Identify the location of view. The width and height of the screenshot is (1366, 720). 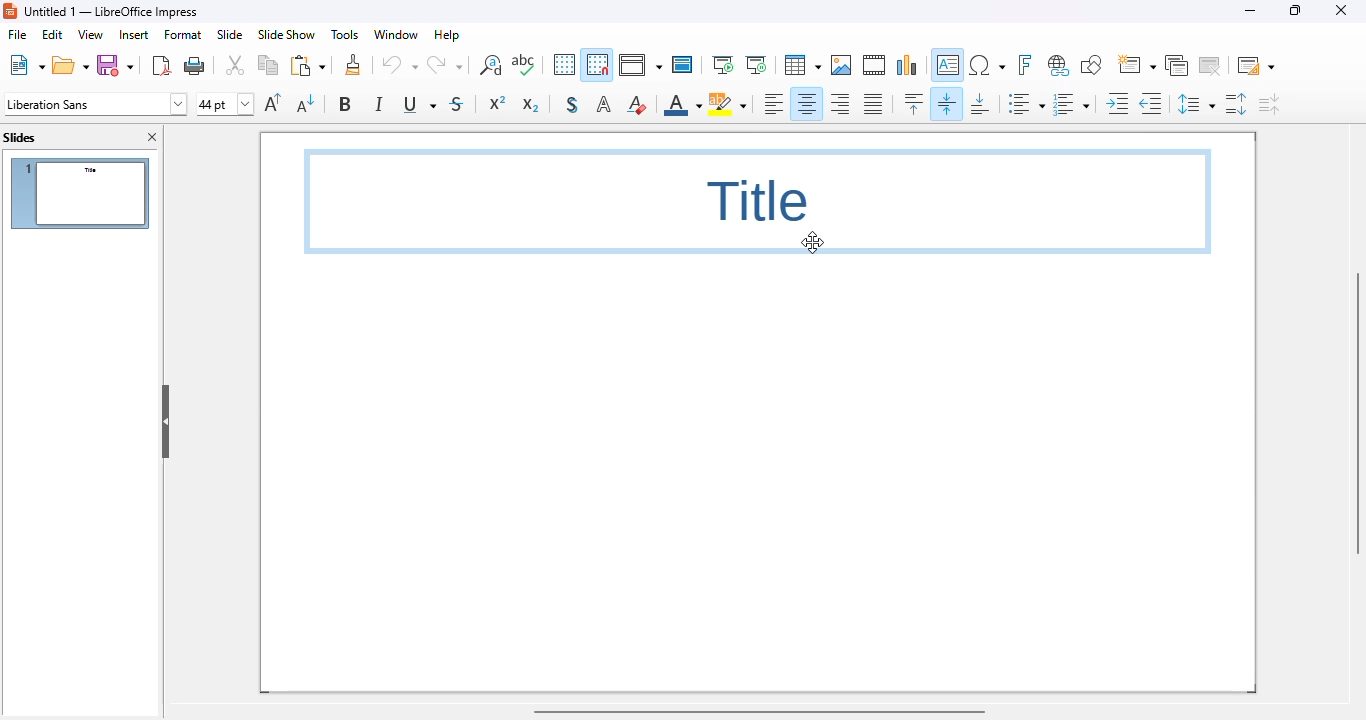
(90, 34).